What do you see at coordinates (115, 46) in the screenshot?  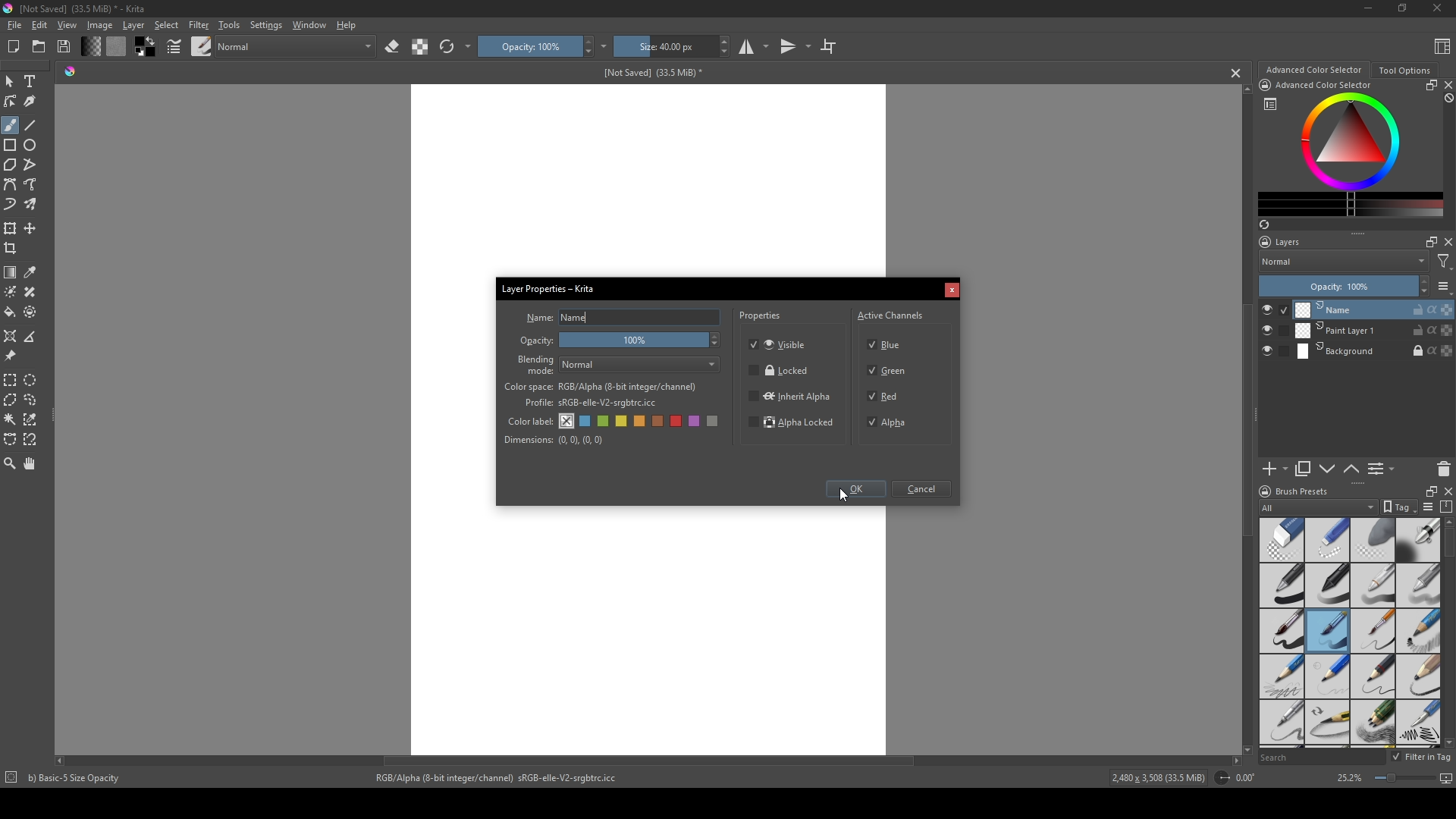 I see `color` at bounding box center [115, 46].